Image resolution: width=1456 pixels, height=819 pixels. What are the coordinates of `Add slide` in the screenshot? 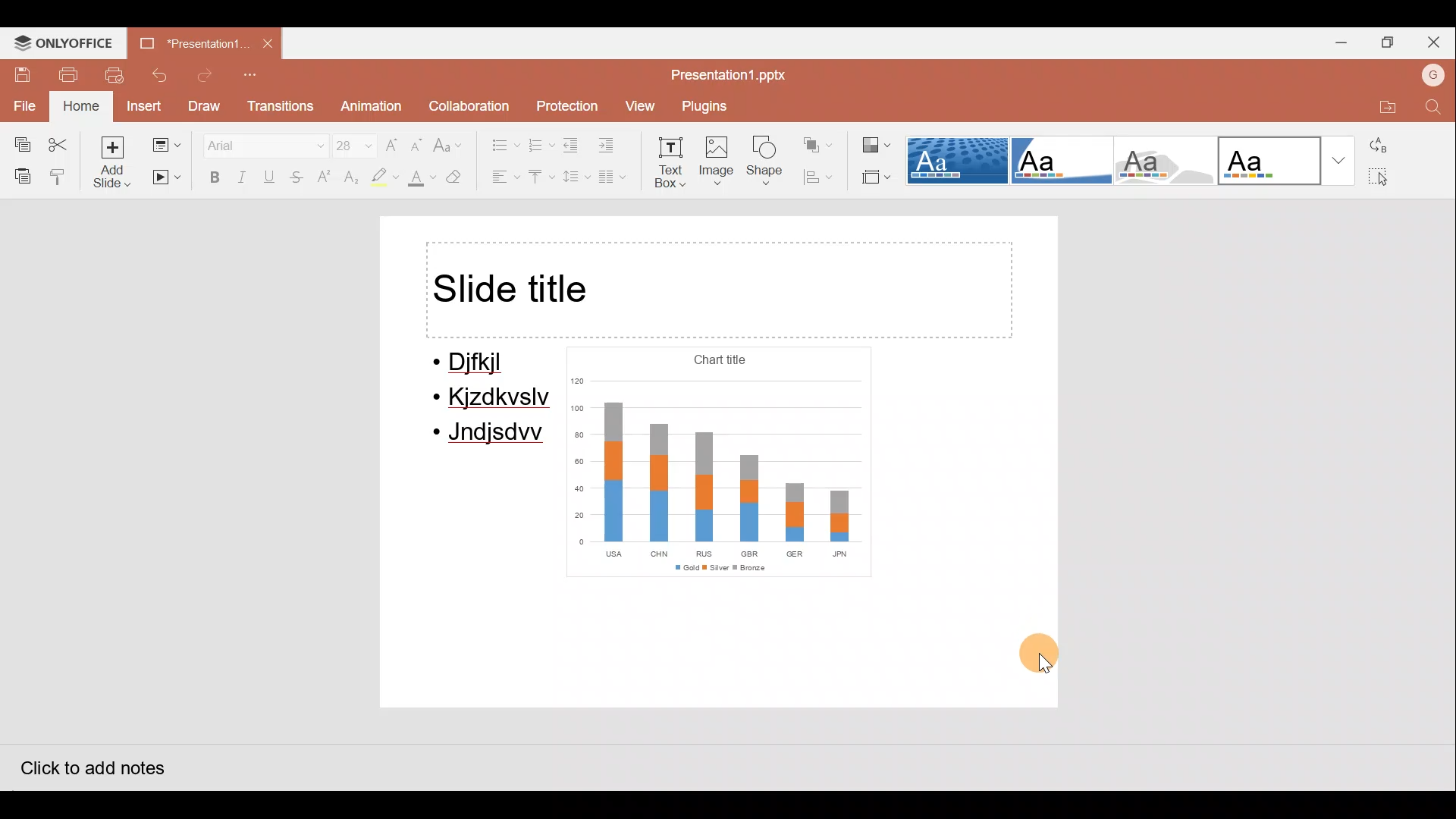 It's located at (115, 165).